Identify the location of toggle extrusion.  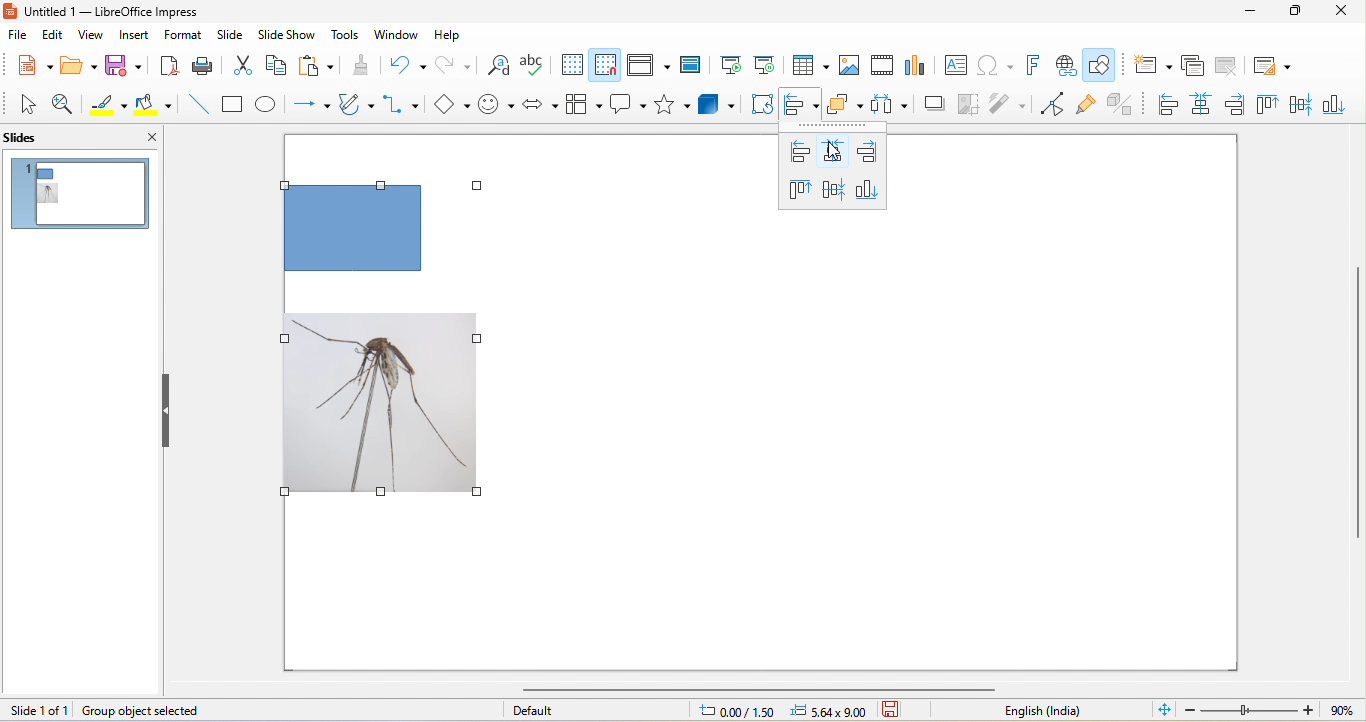
(1124, 104).